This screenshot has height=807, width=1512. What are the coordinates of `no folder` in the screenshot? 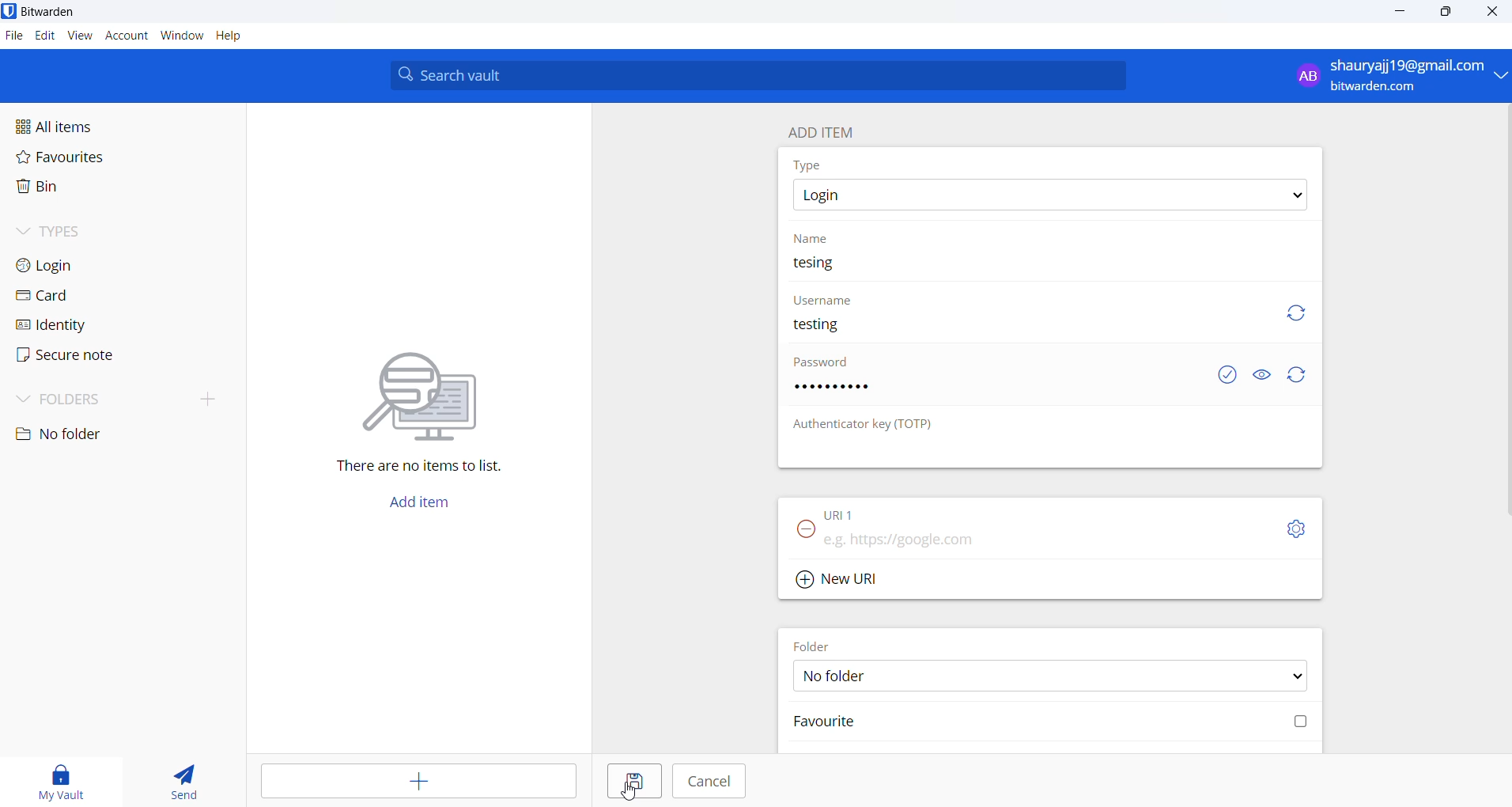 It's located at (94, 434).